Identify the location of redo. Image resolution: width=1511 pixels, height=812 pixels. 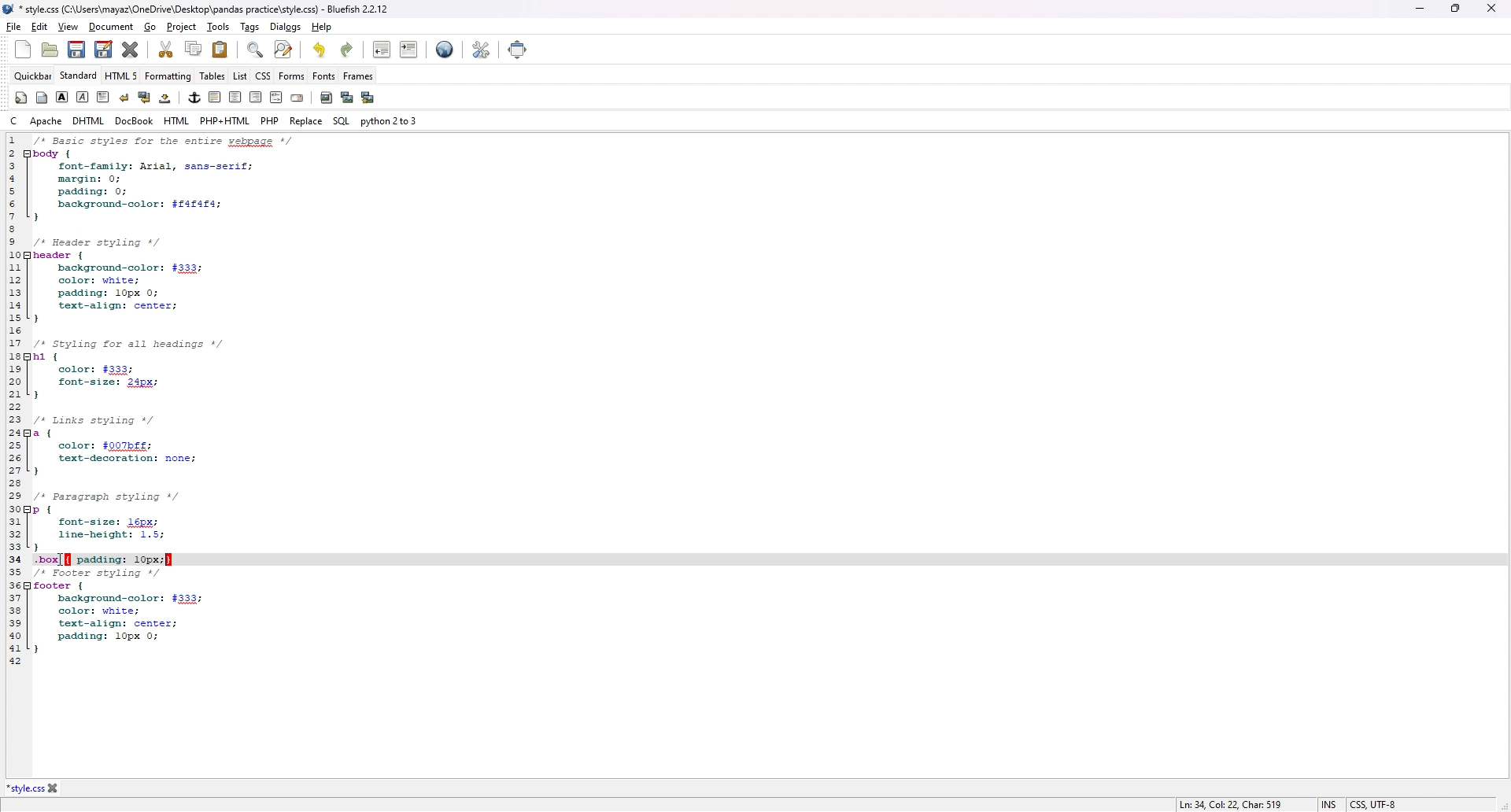
(348, 50).